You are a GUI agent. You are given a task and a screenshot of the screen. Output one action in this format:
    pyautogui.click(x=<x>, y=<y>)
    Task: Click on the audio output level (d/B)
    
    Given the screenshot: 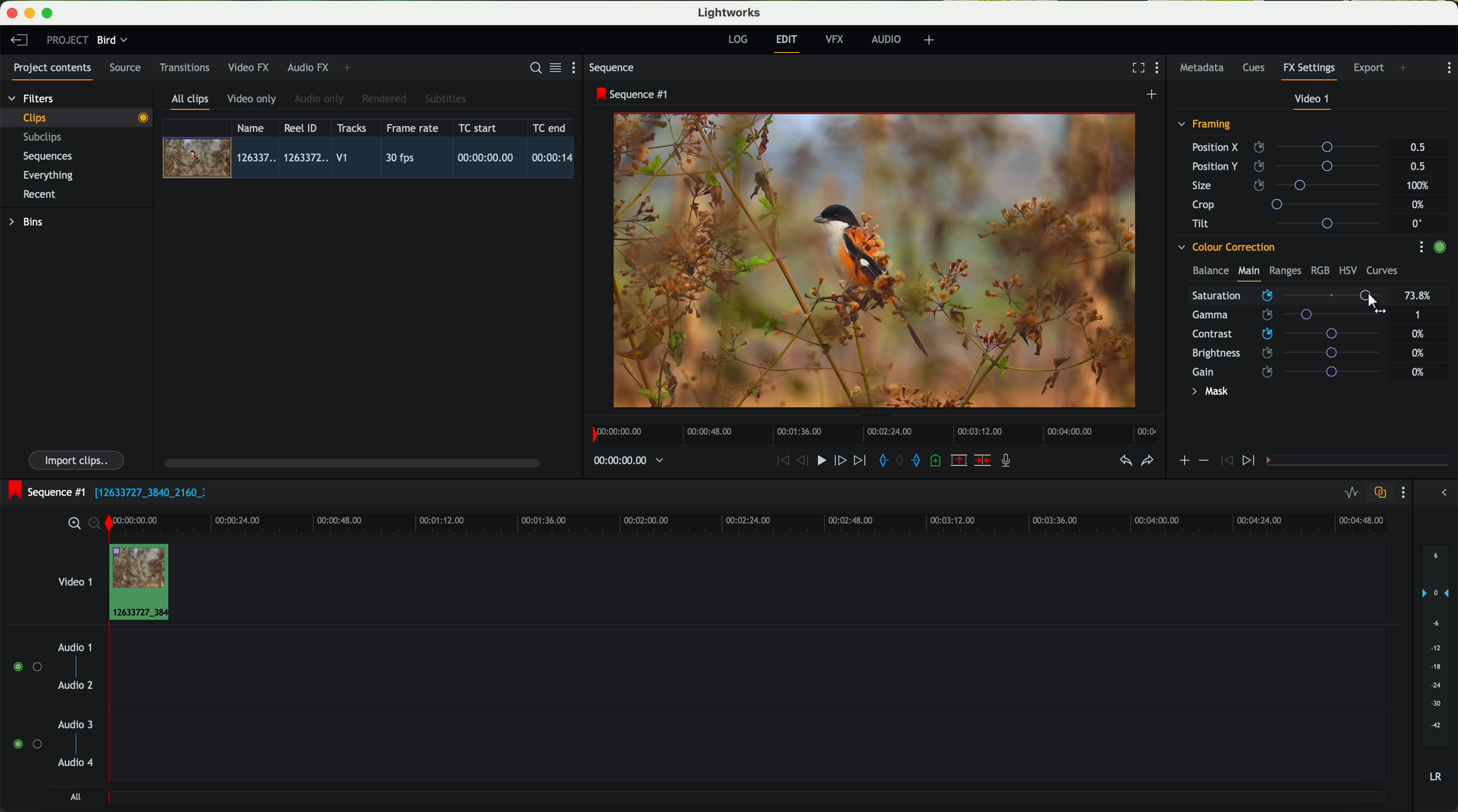 What is the action you would take?
    pyautogui.click(x=1436, y=667)
    